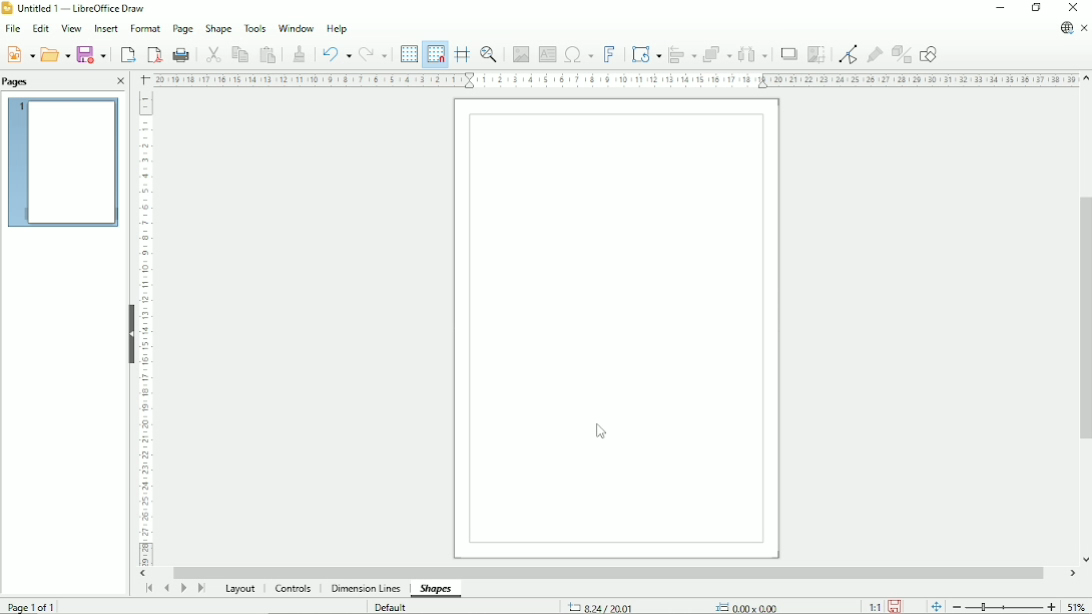 The height and width of the screenshot is (614, 1092). Describe the element at coordinates (107, 28) in the screenshot. I see `Insert` at that location.